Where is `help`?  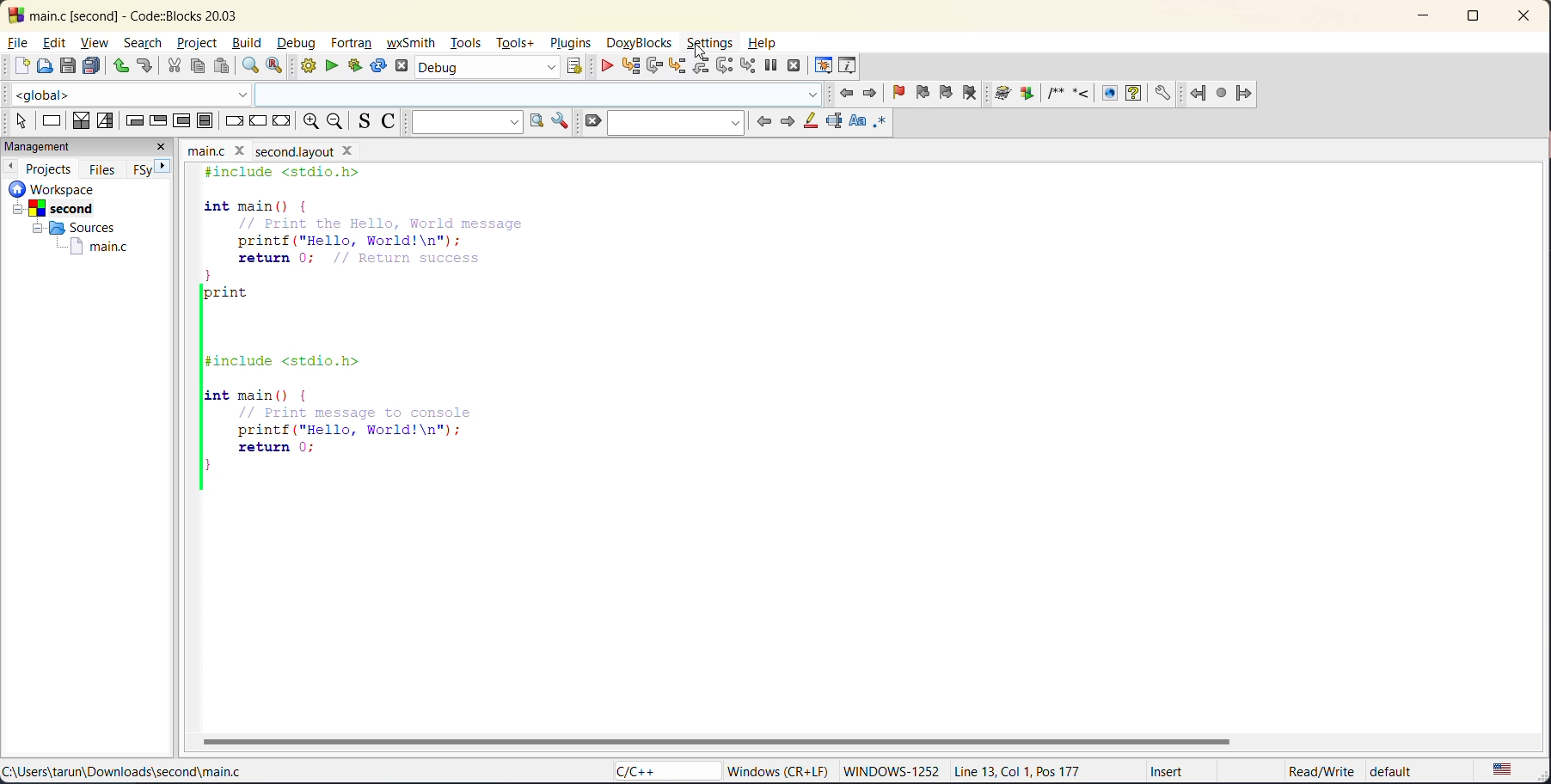
help is located at coordinates (764, 44).